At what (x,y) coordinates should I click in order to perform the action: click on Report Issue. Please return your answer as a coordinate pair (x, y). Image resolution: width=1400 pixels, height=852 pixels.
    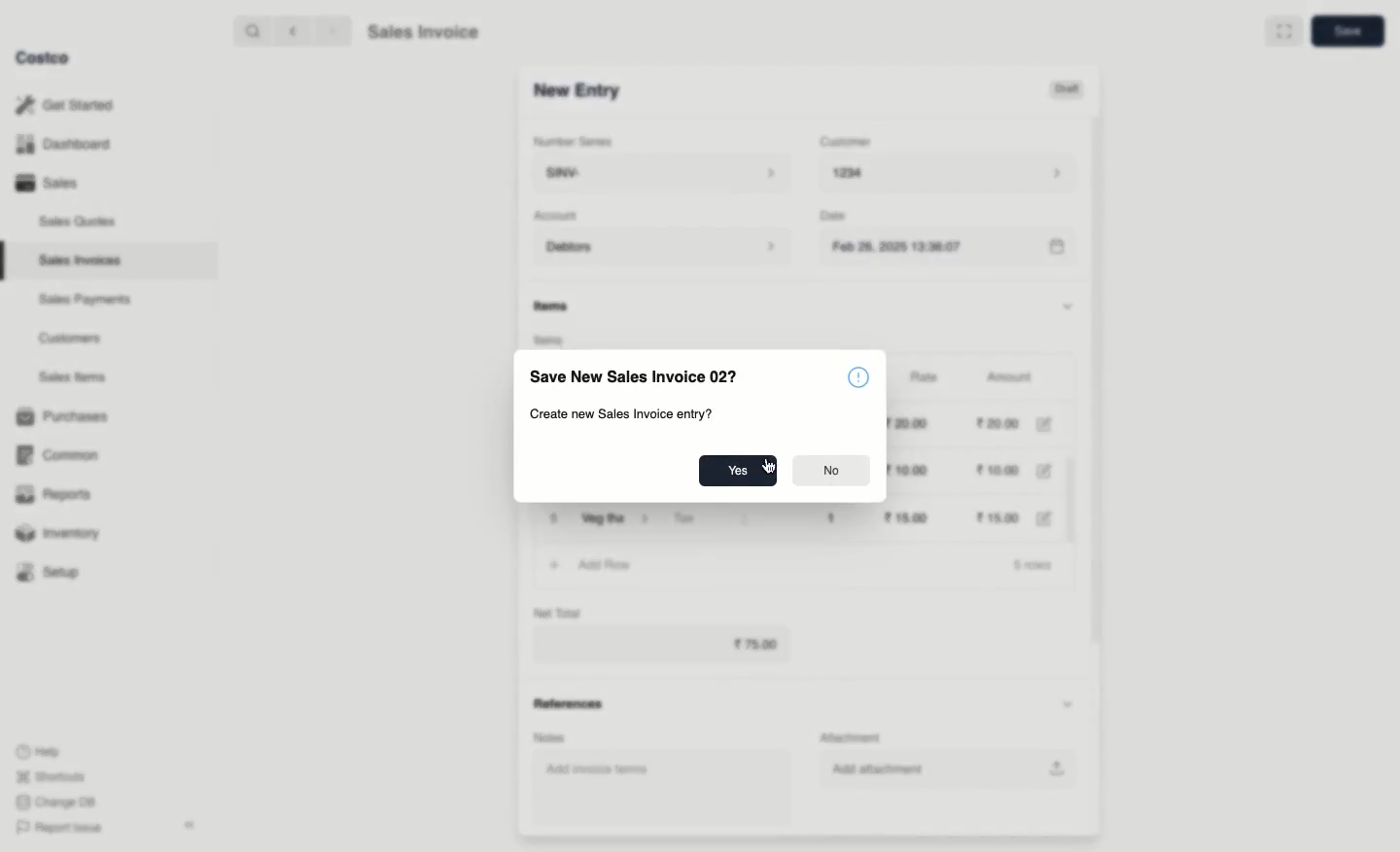
    Looking at the image, I should click on (55, 828).